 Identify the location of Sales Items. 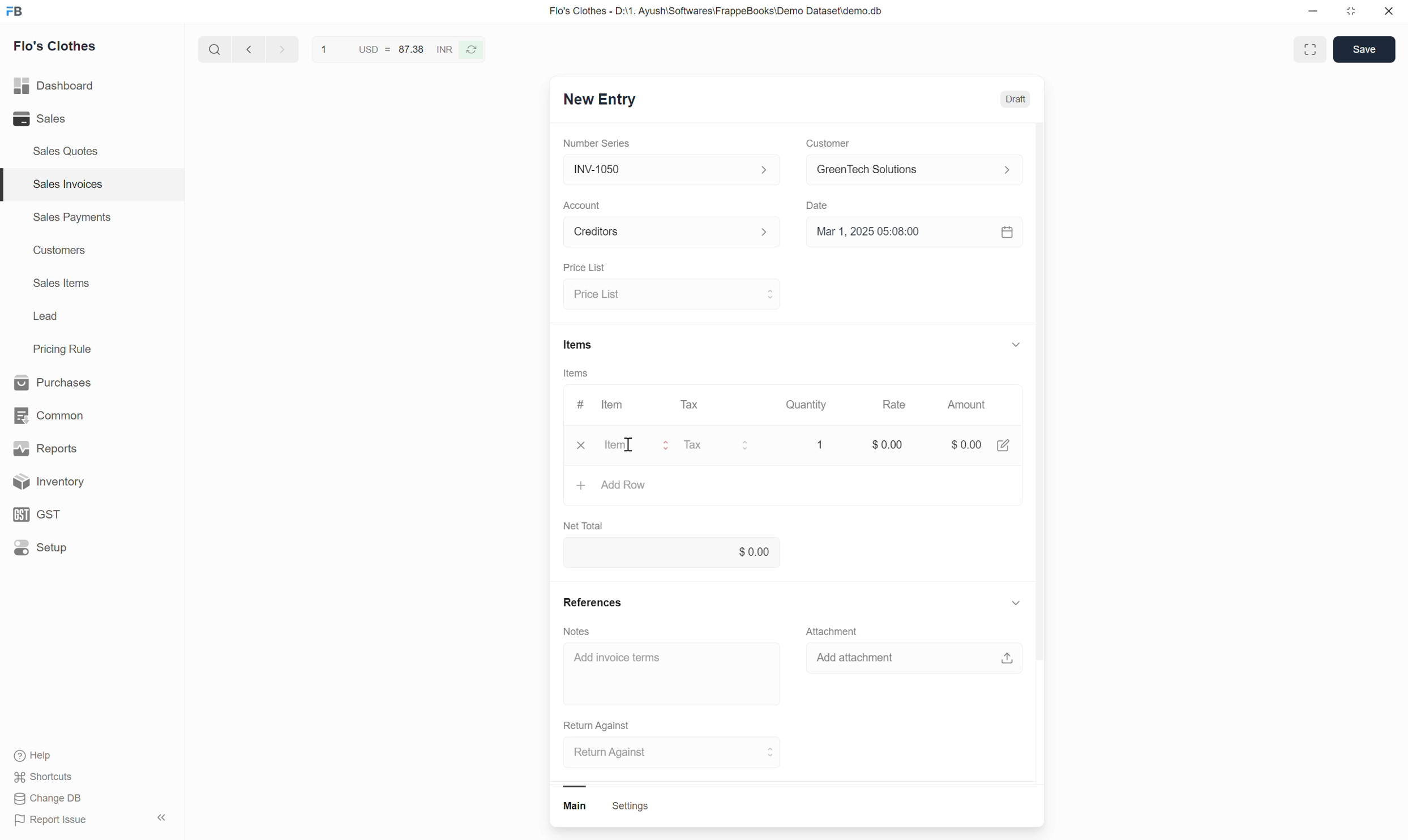
(62, 284).